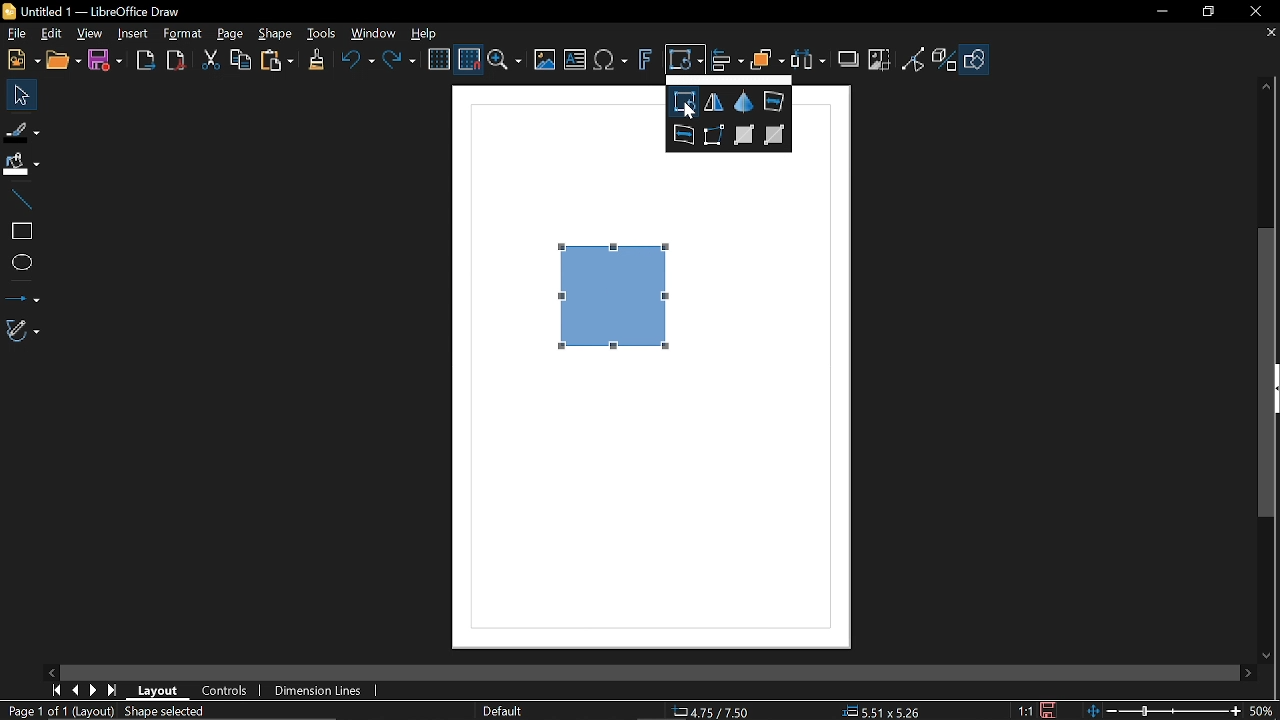 The height and width of the screenshot is (720, 1280). I want to click on Curves and polygons, so click(21, 331).